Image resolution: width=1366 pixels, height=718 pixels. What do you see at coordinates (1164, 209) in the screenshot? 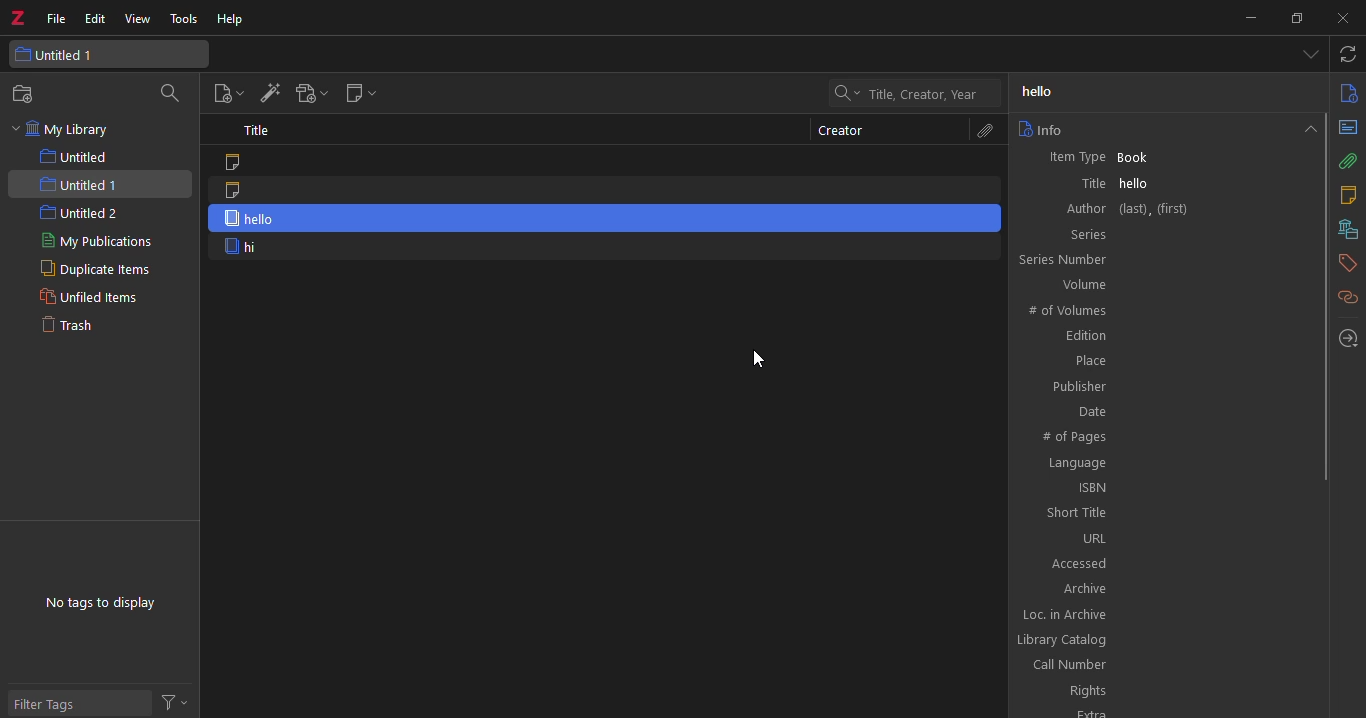
I see `Author: (last), (first)` at bounding box center [1164, 209].